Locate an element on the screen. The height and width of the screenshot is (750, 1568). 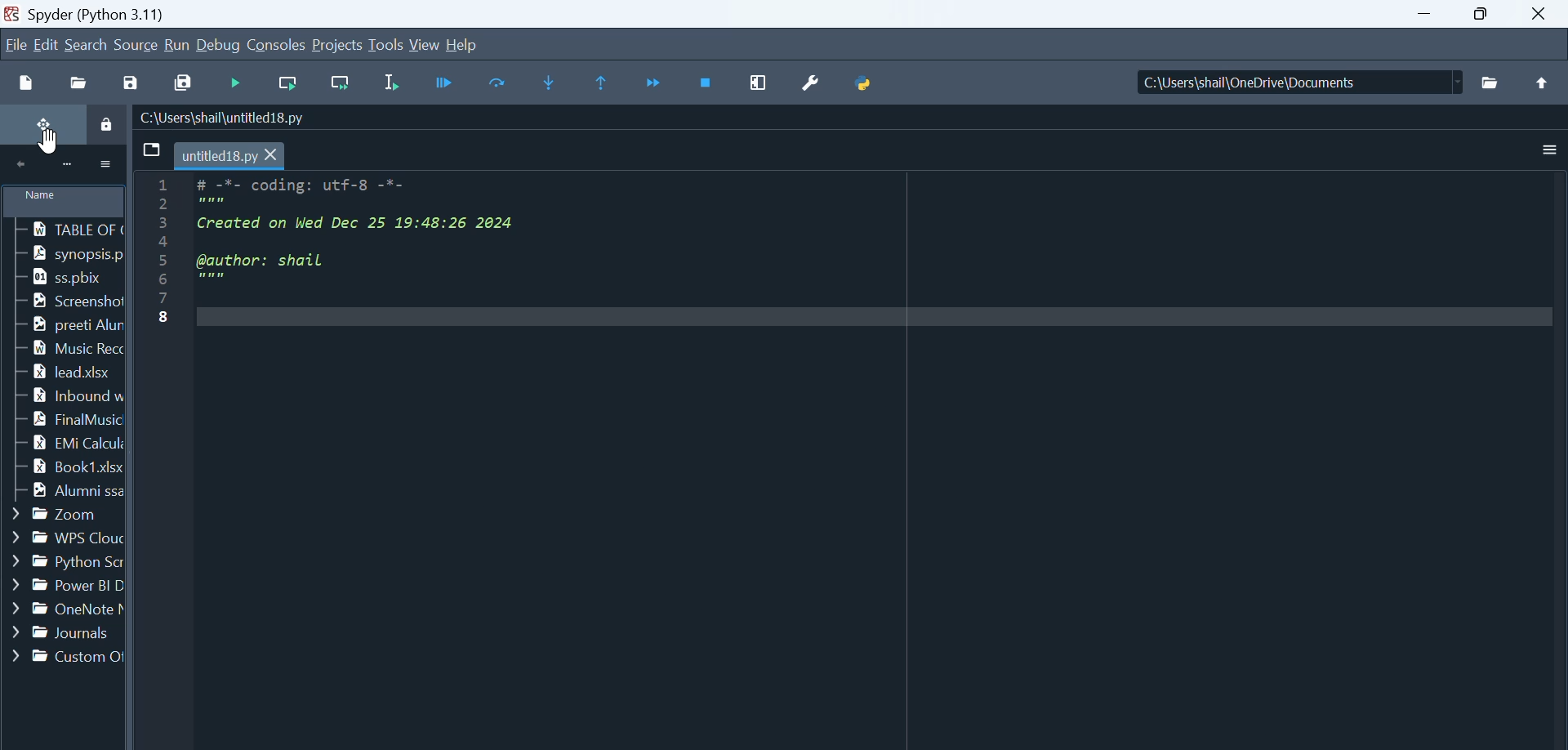
Music Rec.. is located at coordinates (60, 347).